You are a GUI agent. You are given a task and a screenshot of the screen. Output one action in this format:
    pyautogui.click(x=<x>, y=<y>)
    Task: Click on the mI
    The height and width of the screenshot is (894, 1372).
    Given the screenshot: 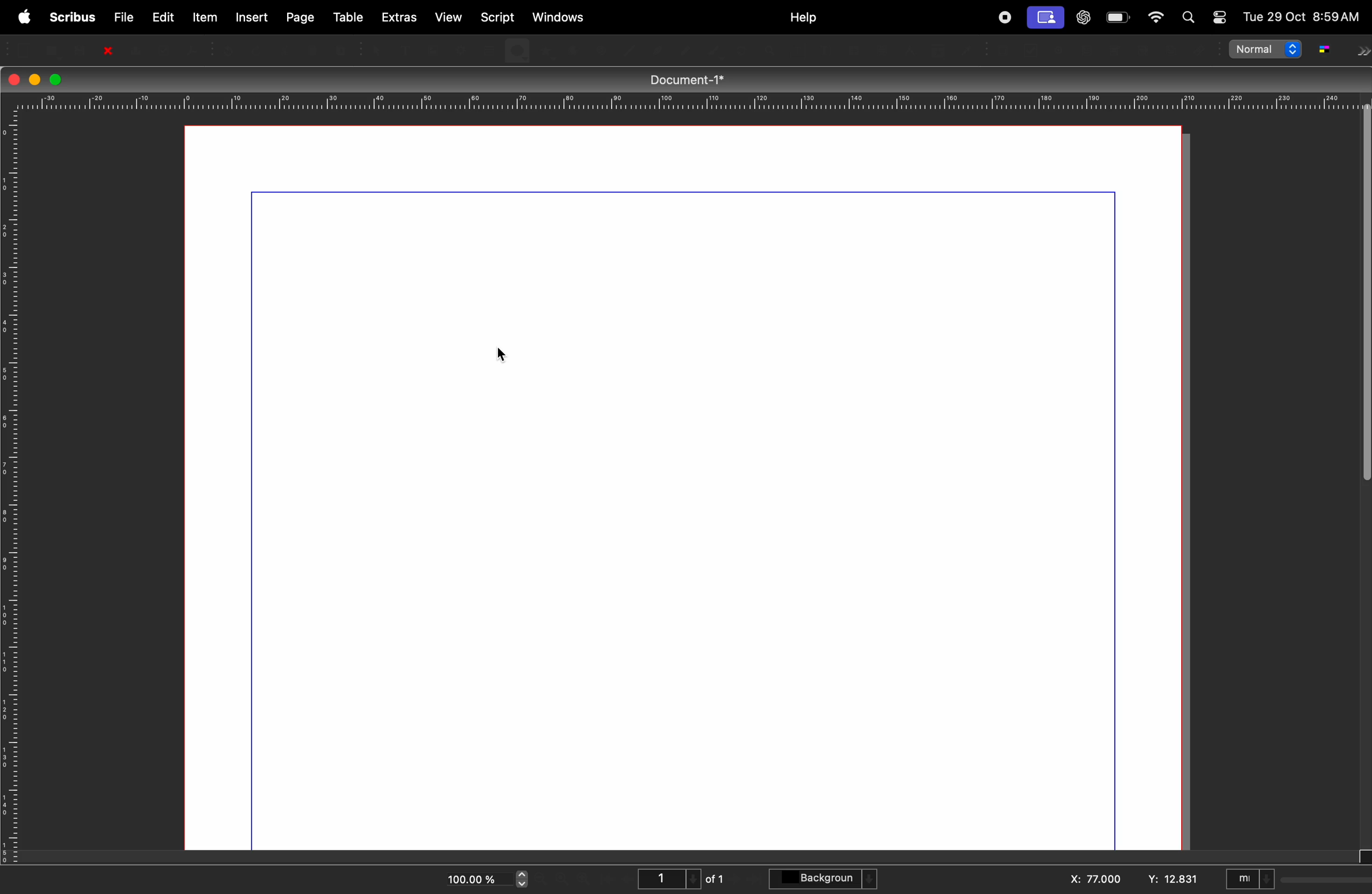 What is the action you would take?
    pyautogui.click(x=1250, y=877)
    